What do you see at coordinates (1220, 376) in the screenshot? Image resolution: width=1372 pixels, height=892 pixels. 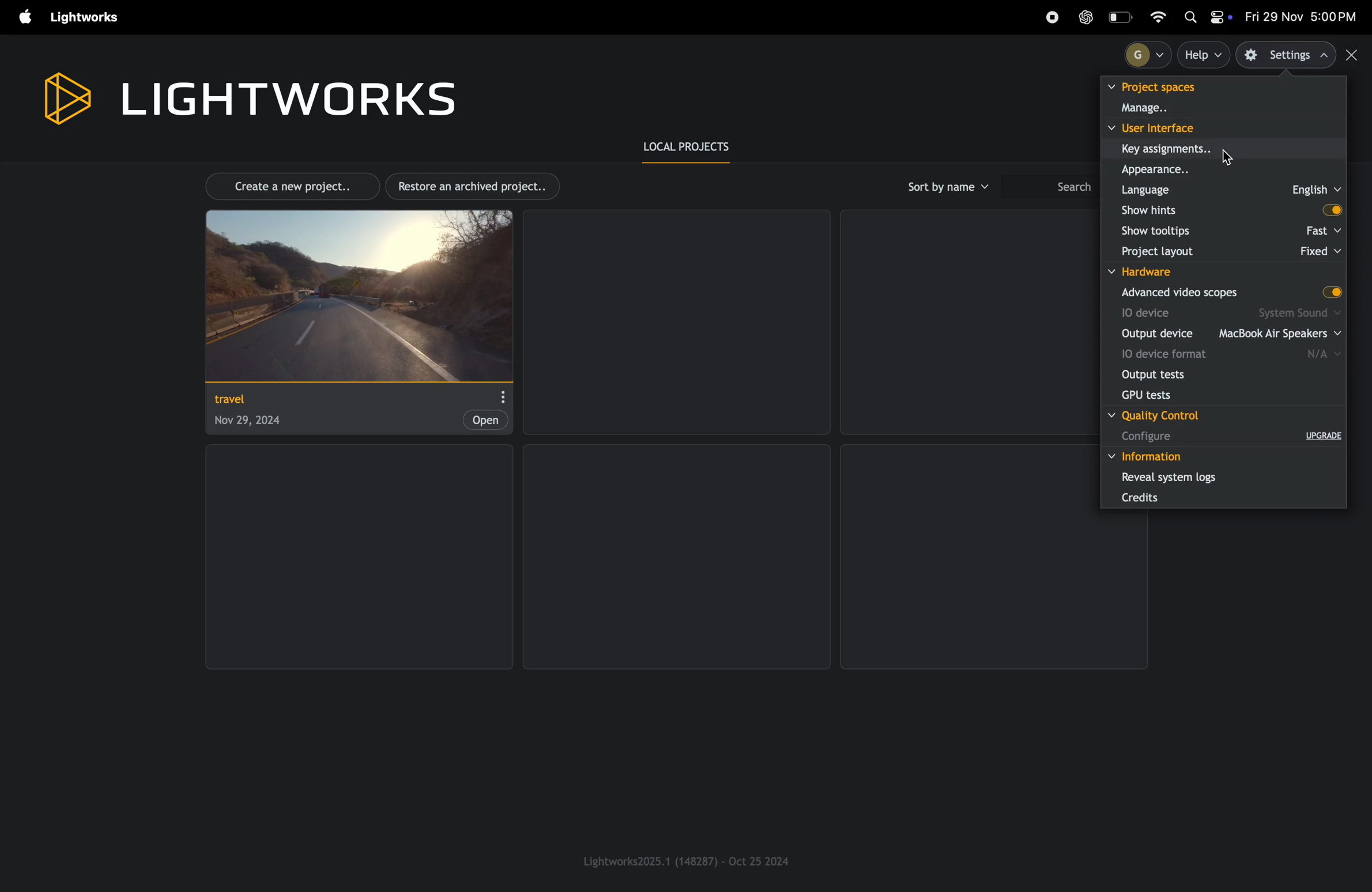 I see `output tests` at bounding box center [1220, 376].